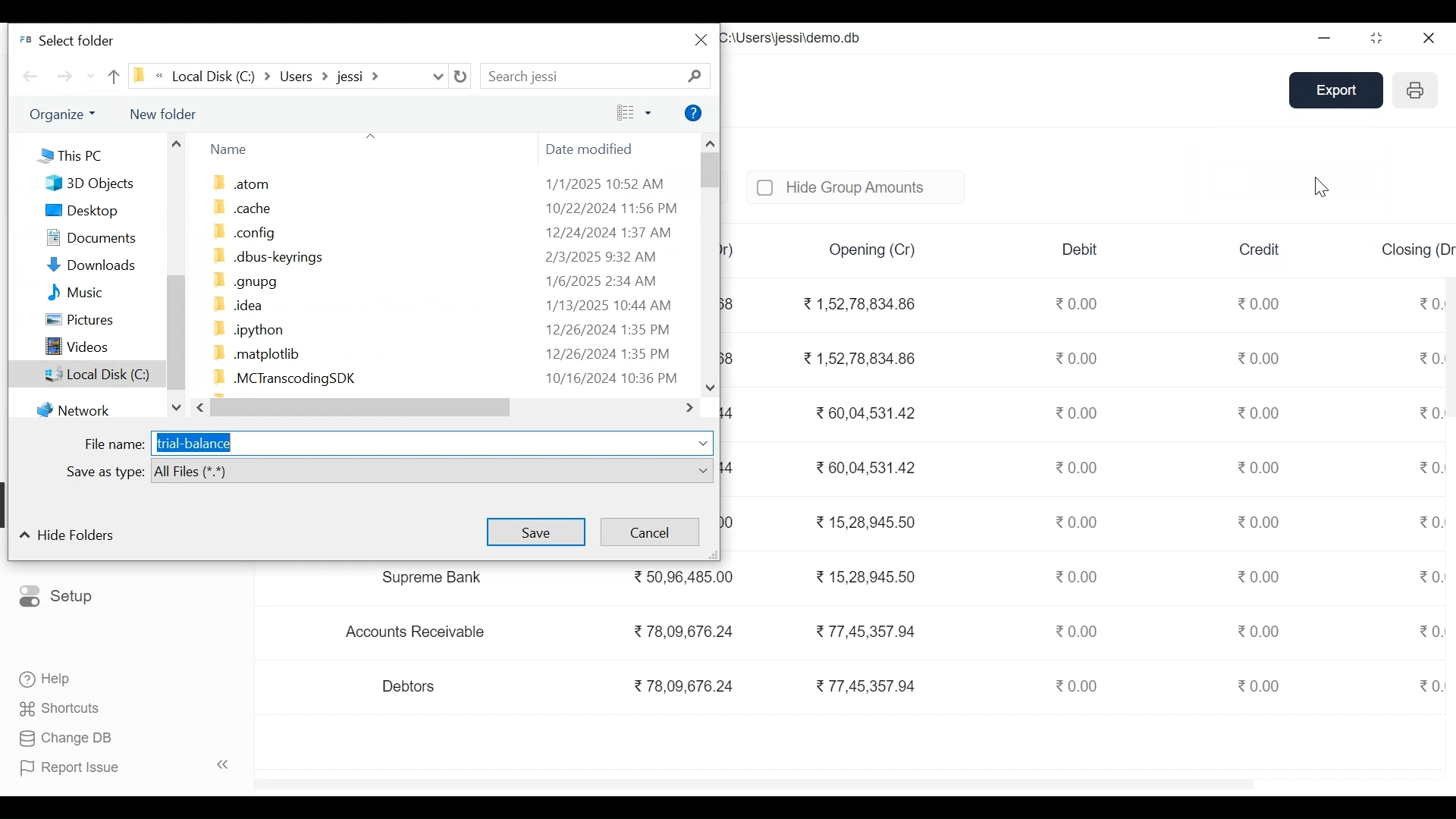 This screenshot has height=819, width=1456. What do you see at coordinates (859, 359) in the screenshot?
I see `1,52,78,834.86` at bounding box center [859, 359].